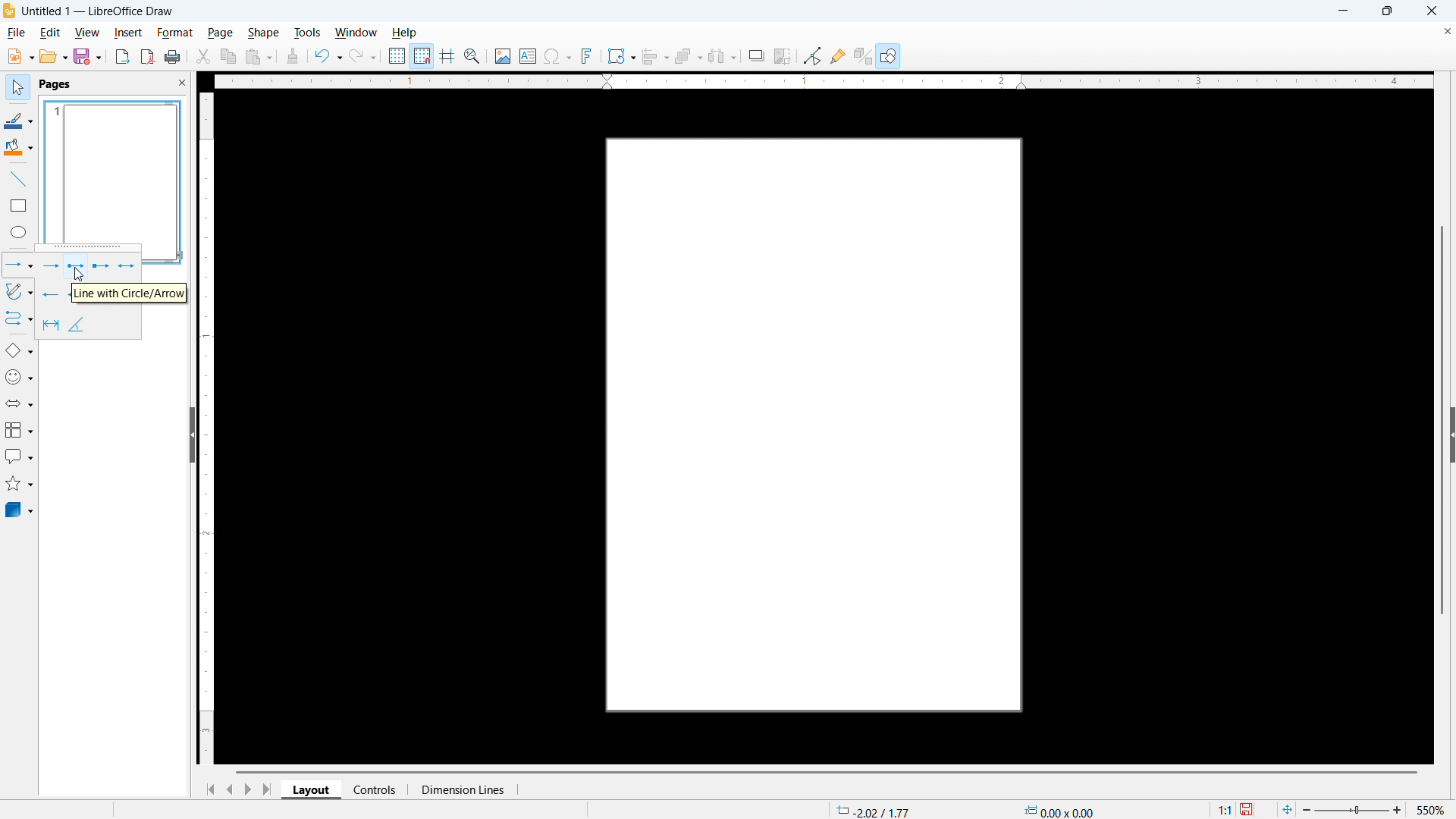 The image size is (1456, 819). Describe the element at coordinates (52, 325) in the screenshot. I see `Dimension lines ` at that location.